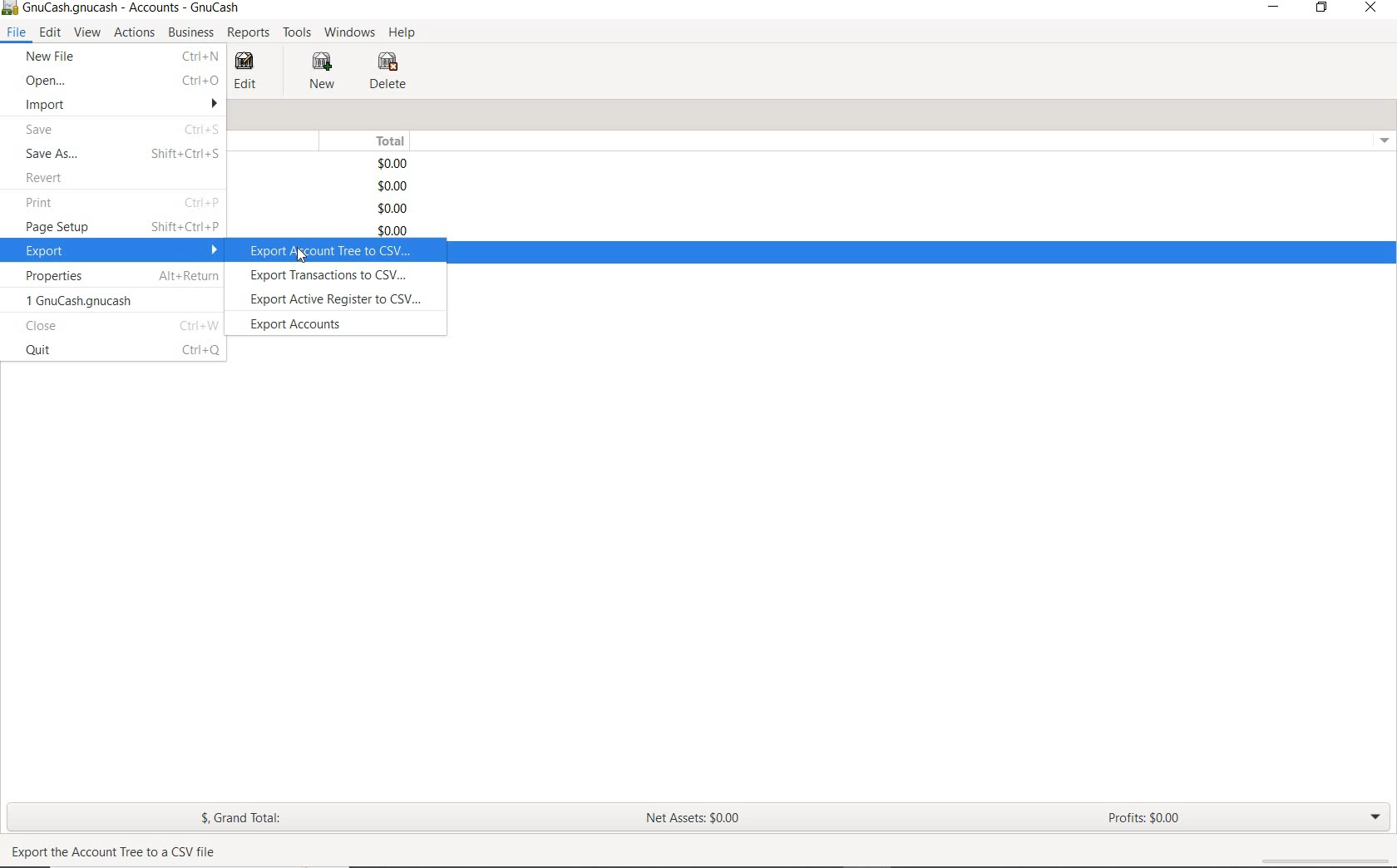 The height and width of the screenshot is (868, 1397). What do you see at coordinates (250, 72) in the screenshot?
I see `EDIT` at bounding box center [250, 72].